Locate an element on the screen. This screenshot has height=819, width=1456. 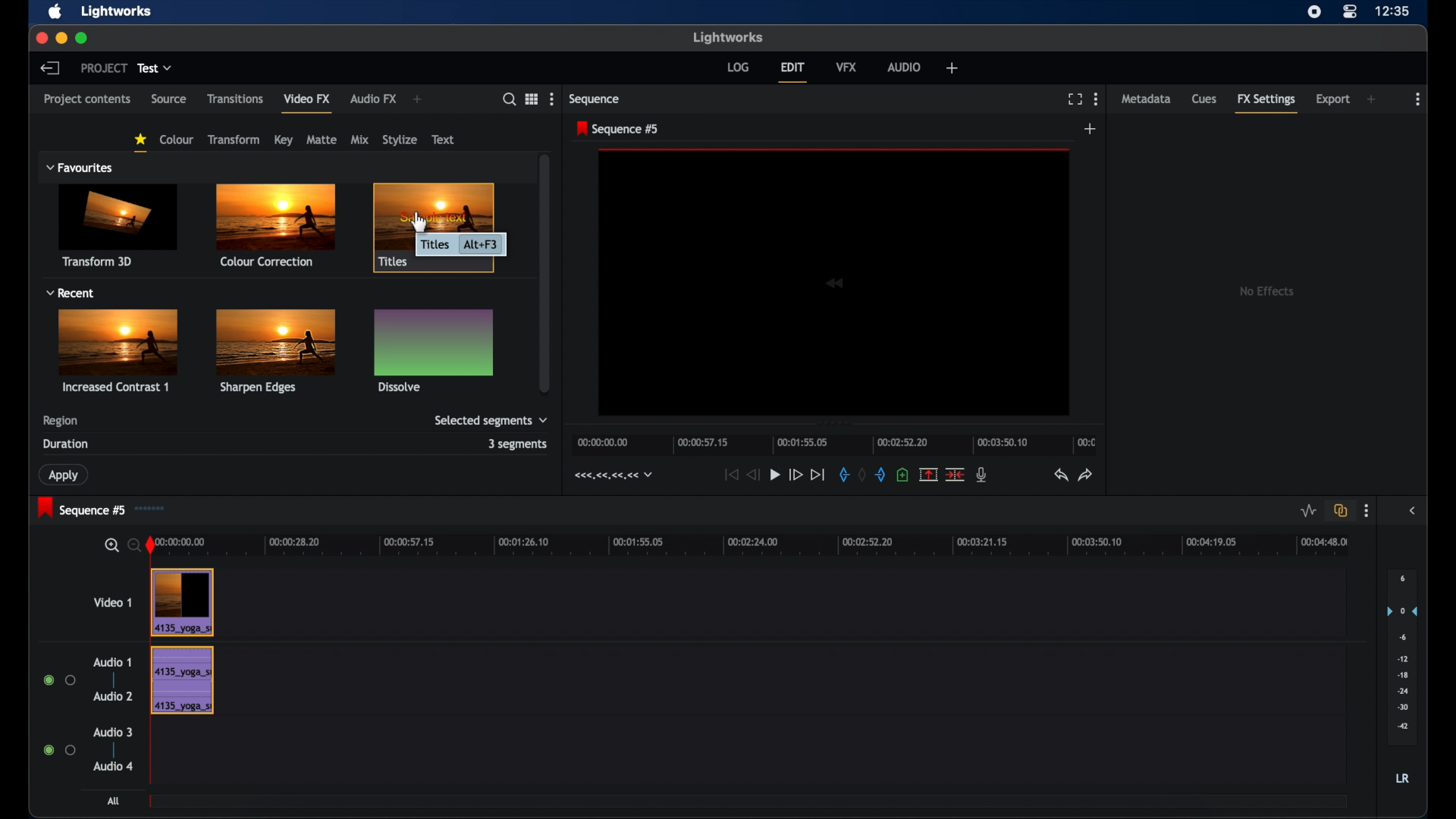
favorites is located at coordinates (140, 143).